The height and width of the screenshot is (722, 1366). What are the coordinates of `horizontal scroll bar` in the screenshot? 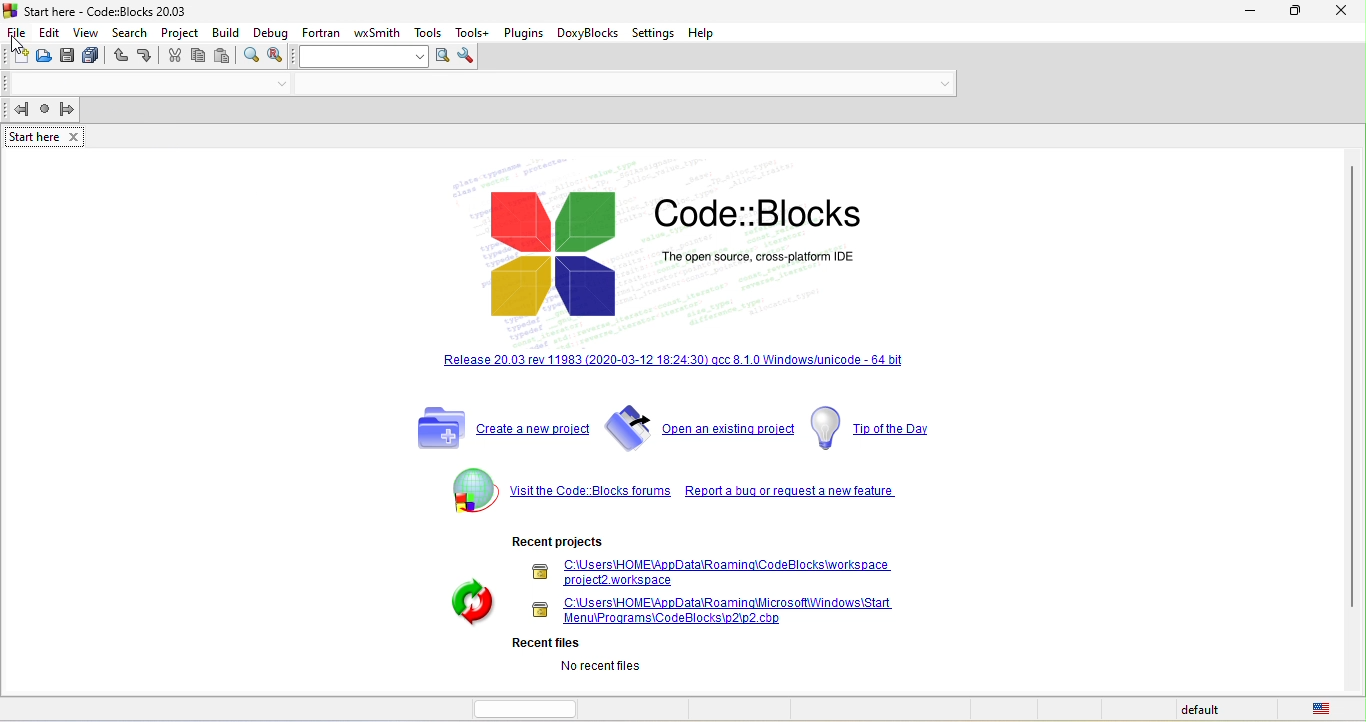 It's located at (531, 707).